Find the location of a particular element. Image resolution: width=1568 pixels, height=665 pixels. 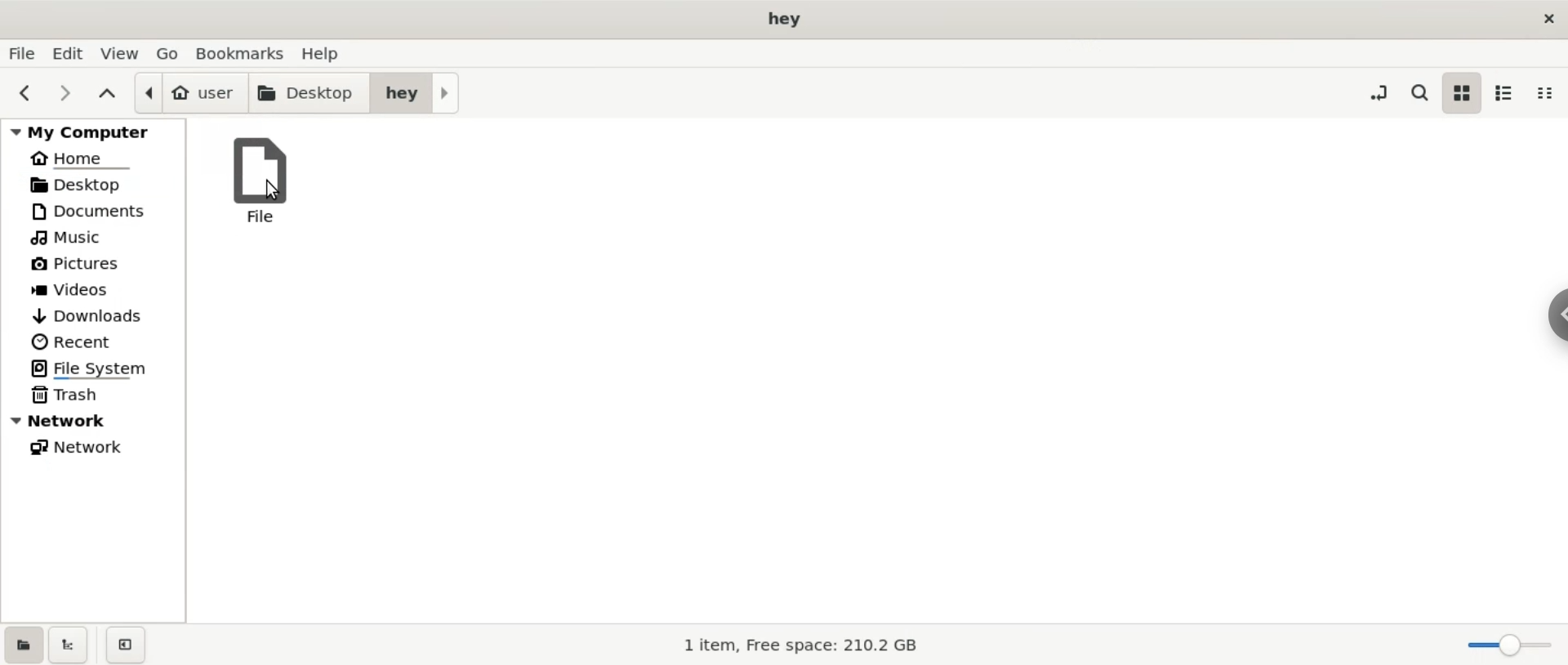

1 item, Free space: 210.2 GB is located at coordinates (802, 646).